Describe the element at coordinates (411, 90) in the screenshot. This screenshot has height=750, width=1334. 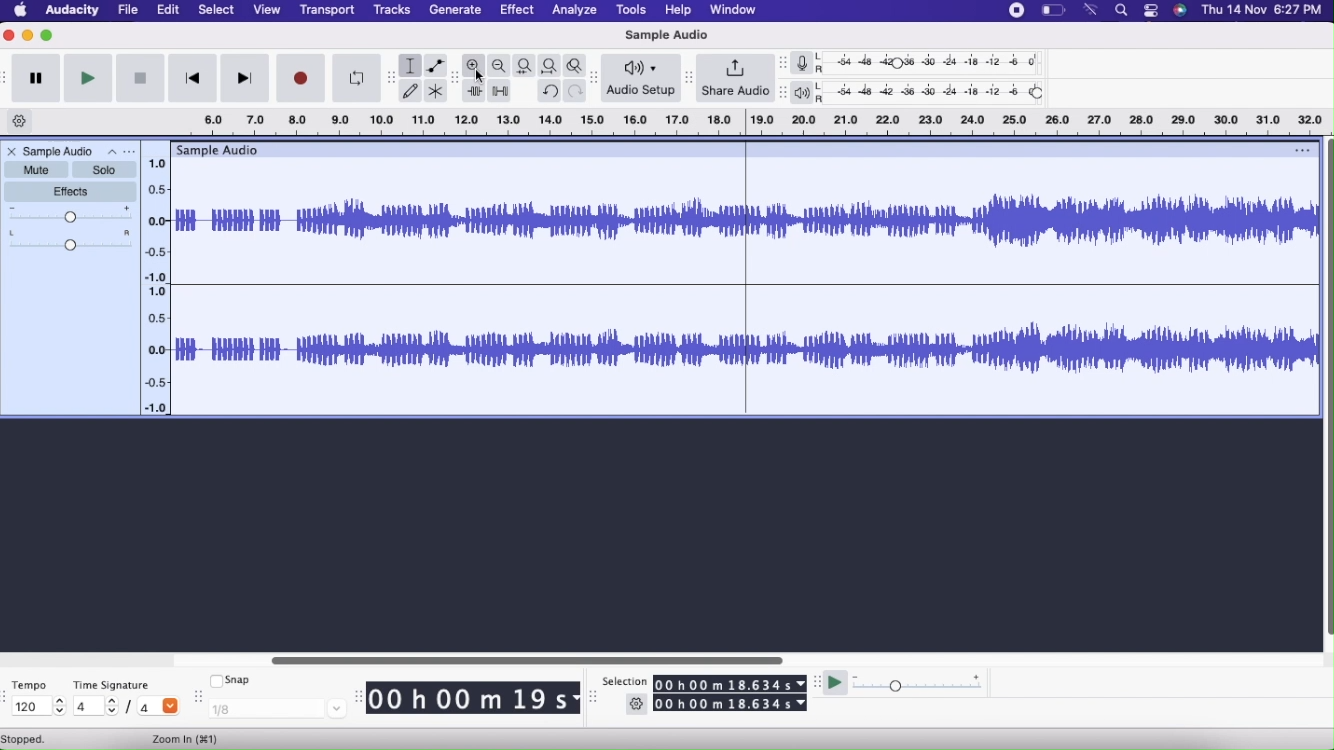
I see `Draw tool` at that location.